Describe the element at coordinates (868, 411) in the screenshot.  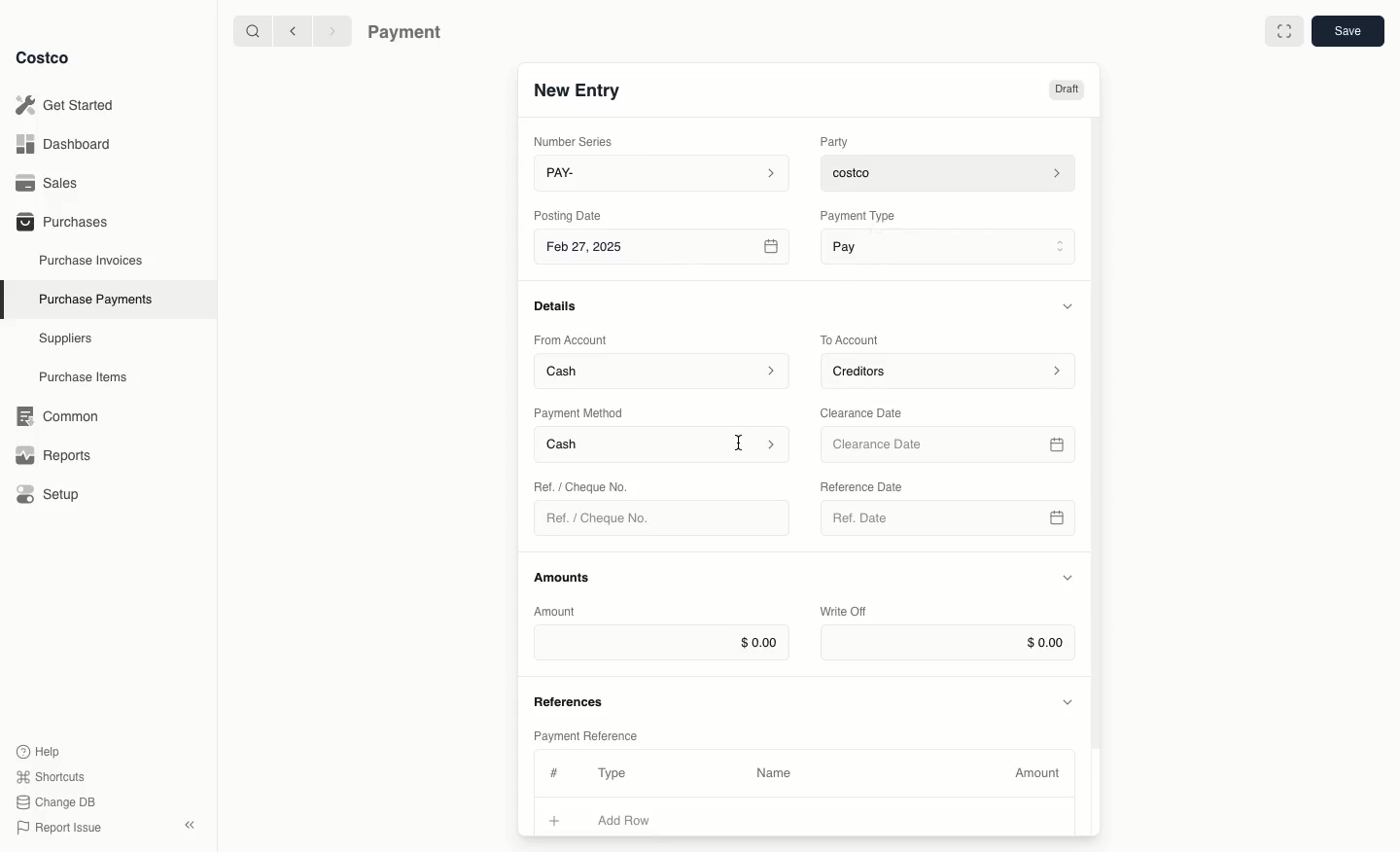
I see `Clearance Date` at that location.